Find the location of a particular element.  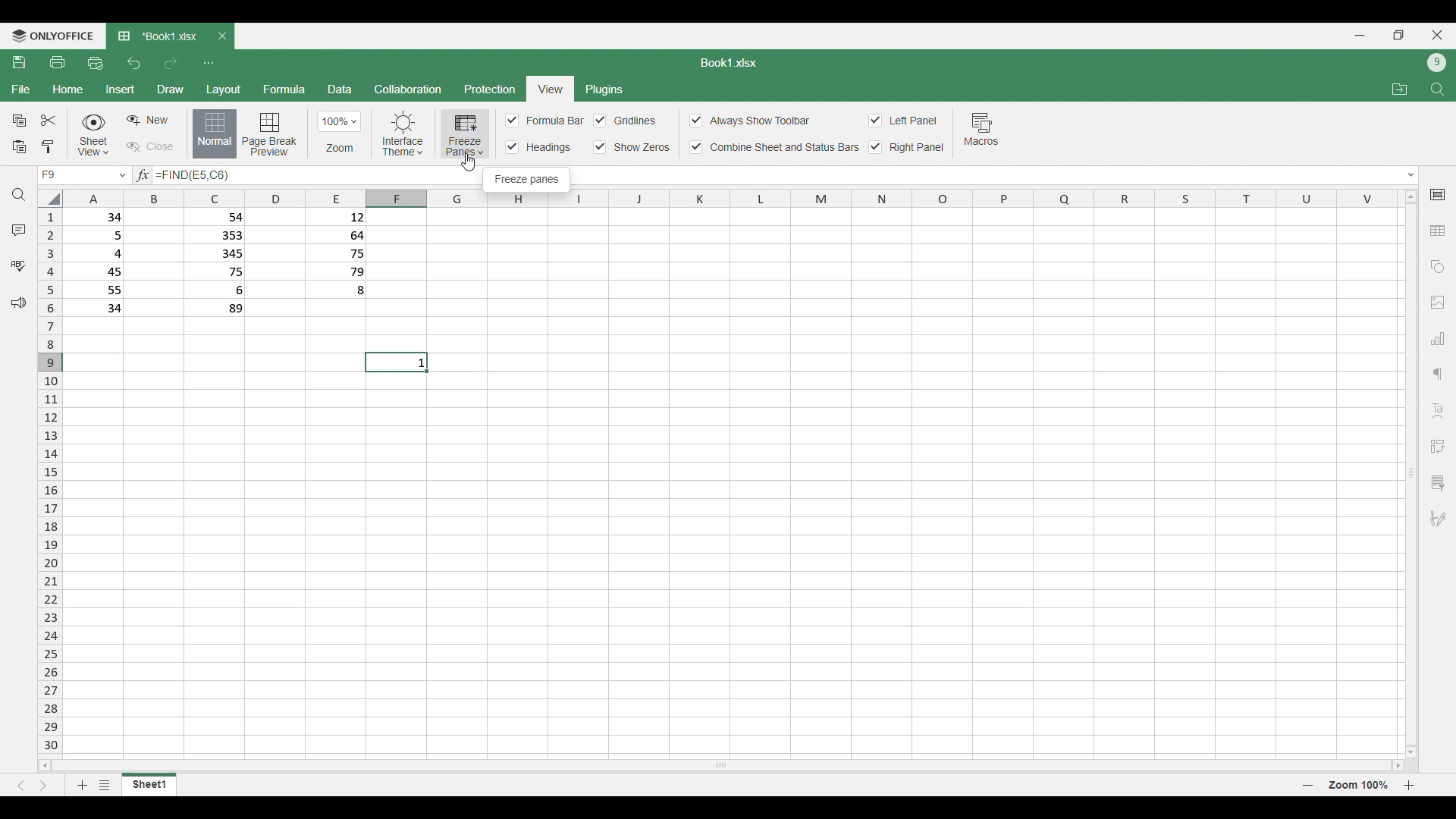

Add shapes is located at coordinates (1438, 266).